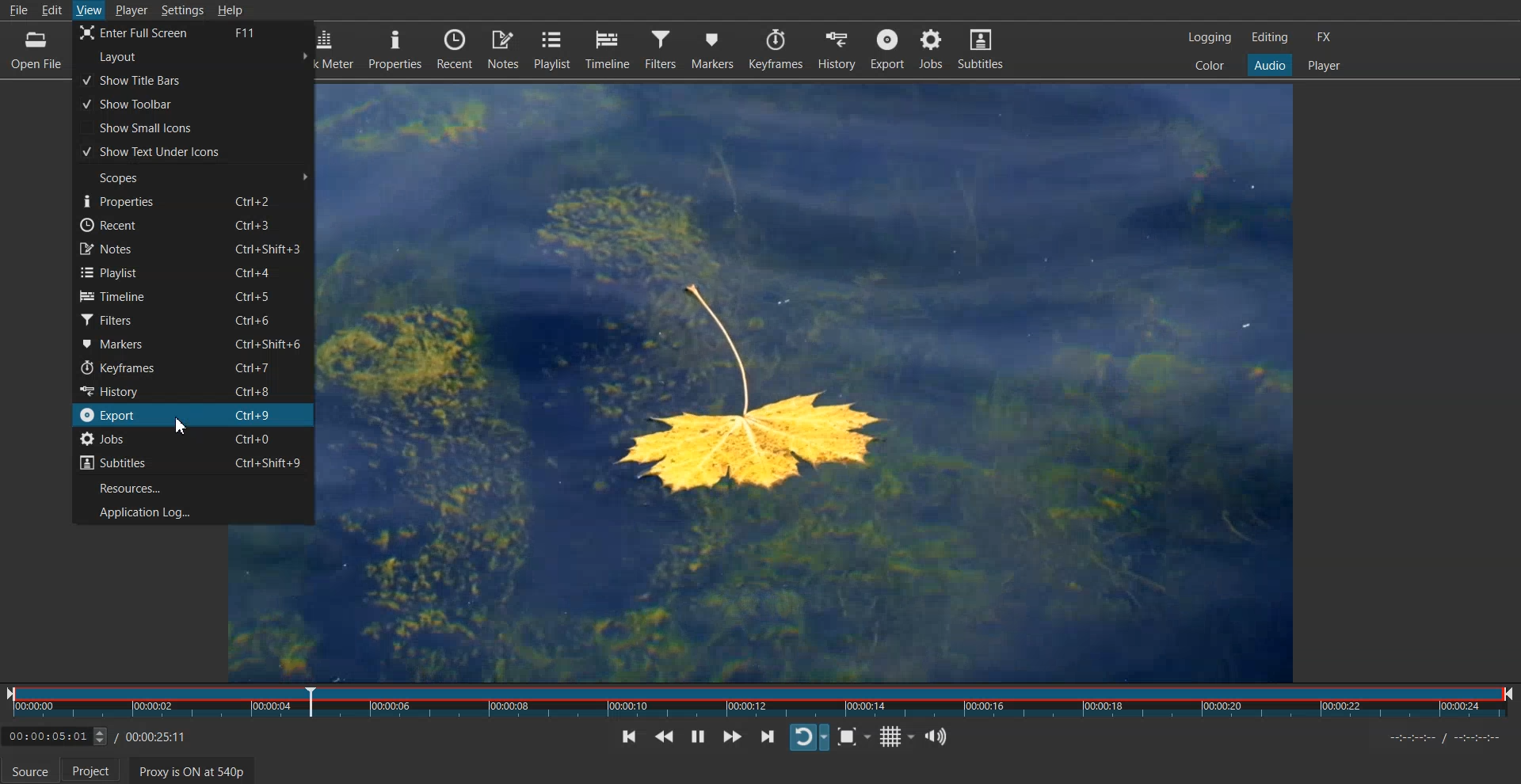 This screenshot has width=1521, height=784. I want to click on Properties, so click(395, 49).